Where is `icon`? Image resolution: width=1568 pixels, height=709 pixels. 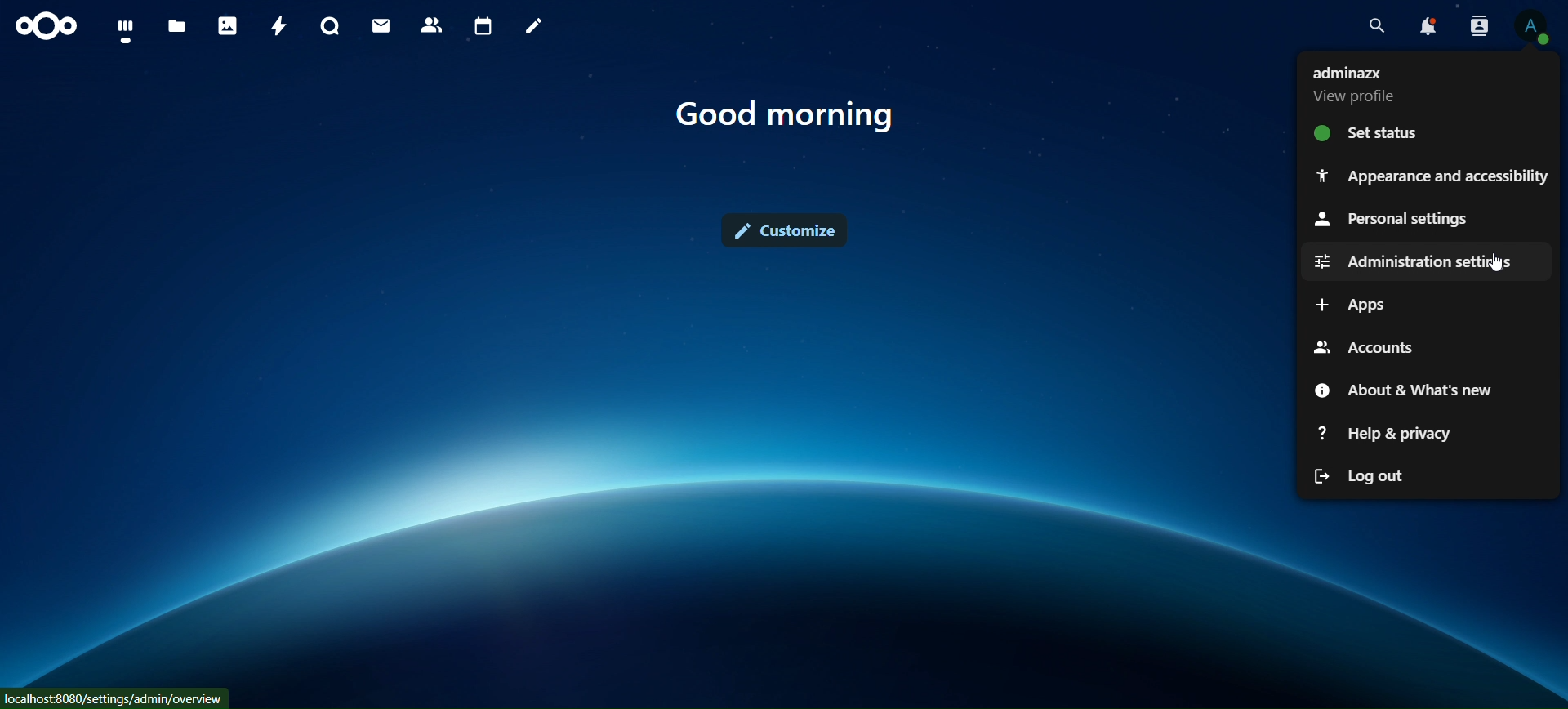
icon is located at coordinates (49, 30).